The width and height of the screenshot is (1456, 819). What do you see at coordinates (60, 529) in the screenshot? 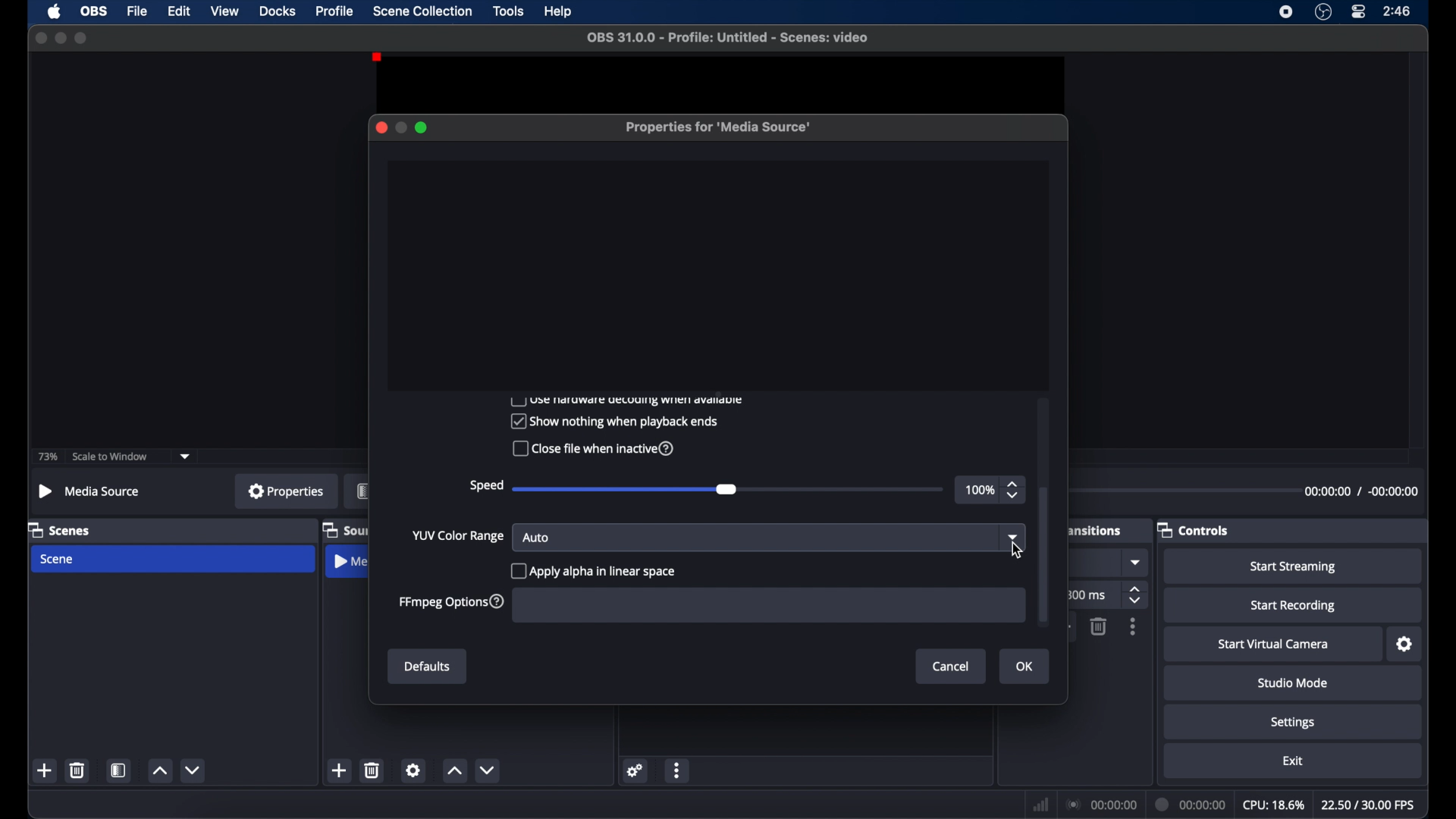
I see `scenes` at bounding box center [60, 529].